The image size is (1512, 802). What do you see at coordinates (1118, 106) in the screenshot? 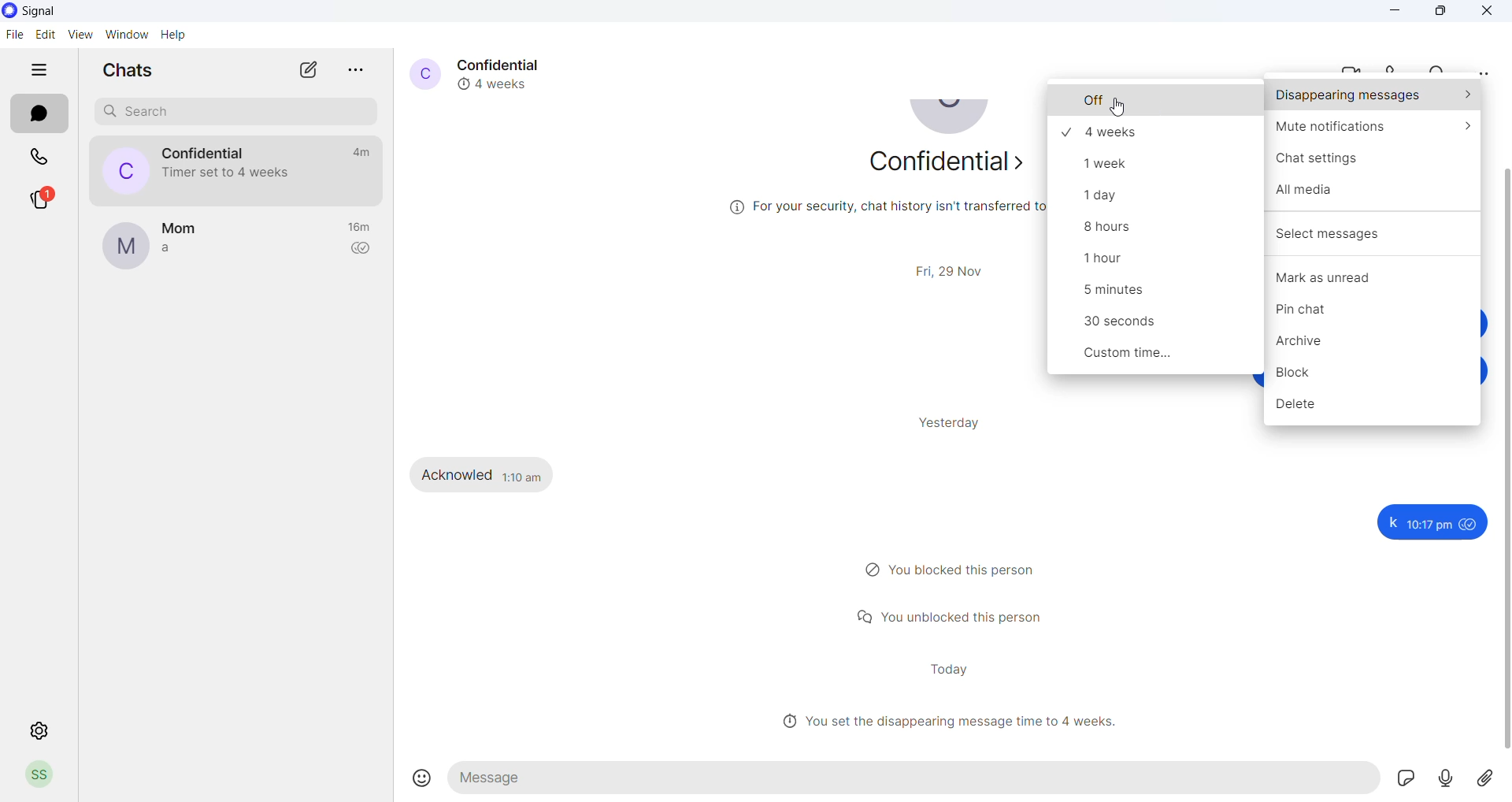
I see `disable disappearing messages` at bounding box center [1118, 106].